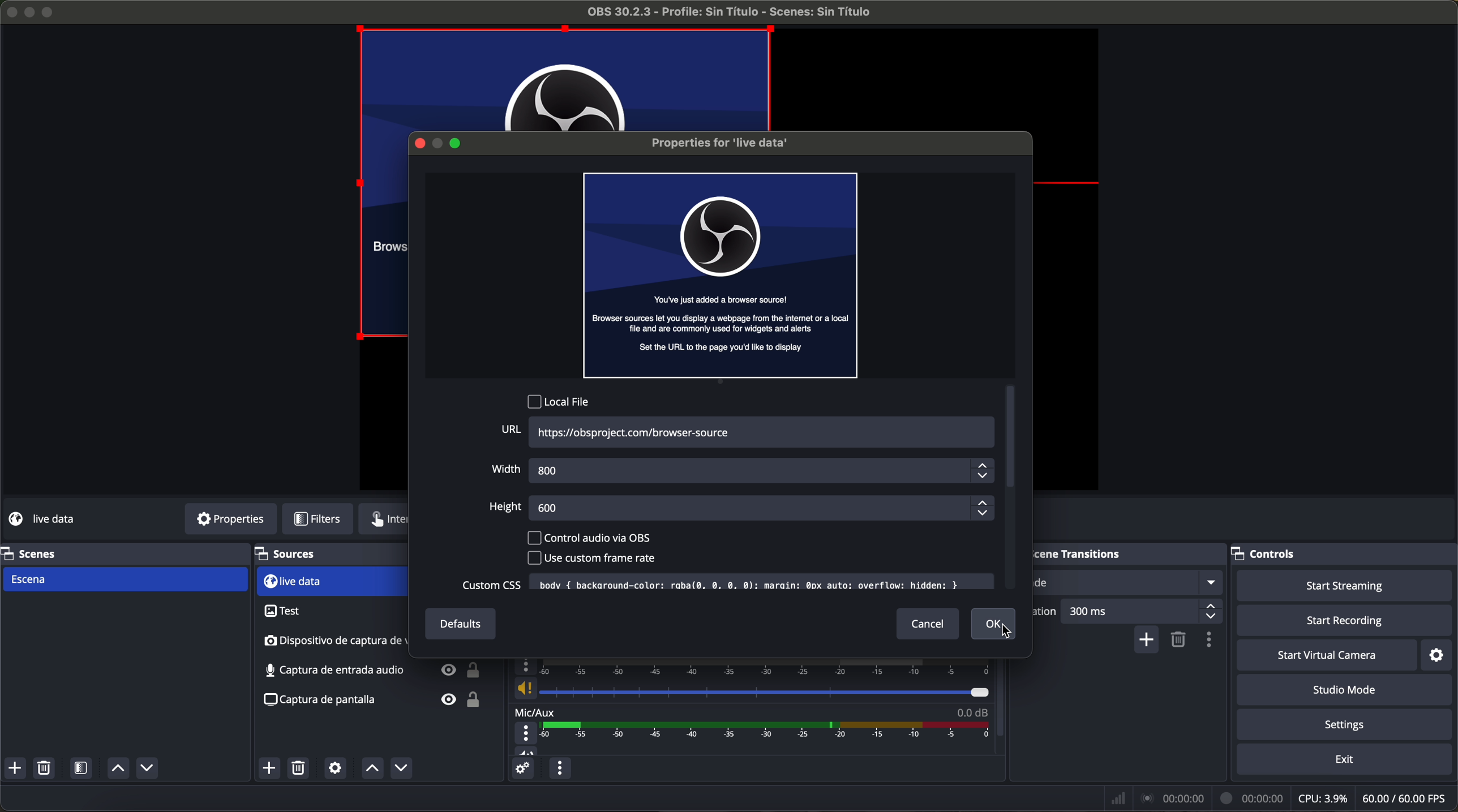 This screenshot has width=1458, height=812. I want to click on add scenes, so click(14, 768).